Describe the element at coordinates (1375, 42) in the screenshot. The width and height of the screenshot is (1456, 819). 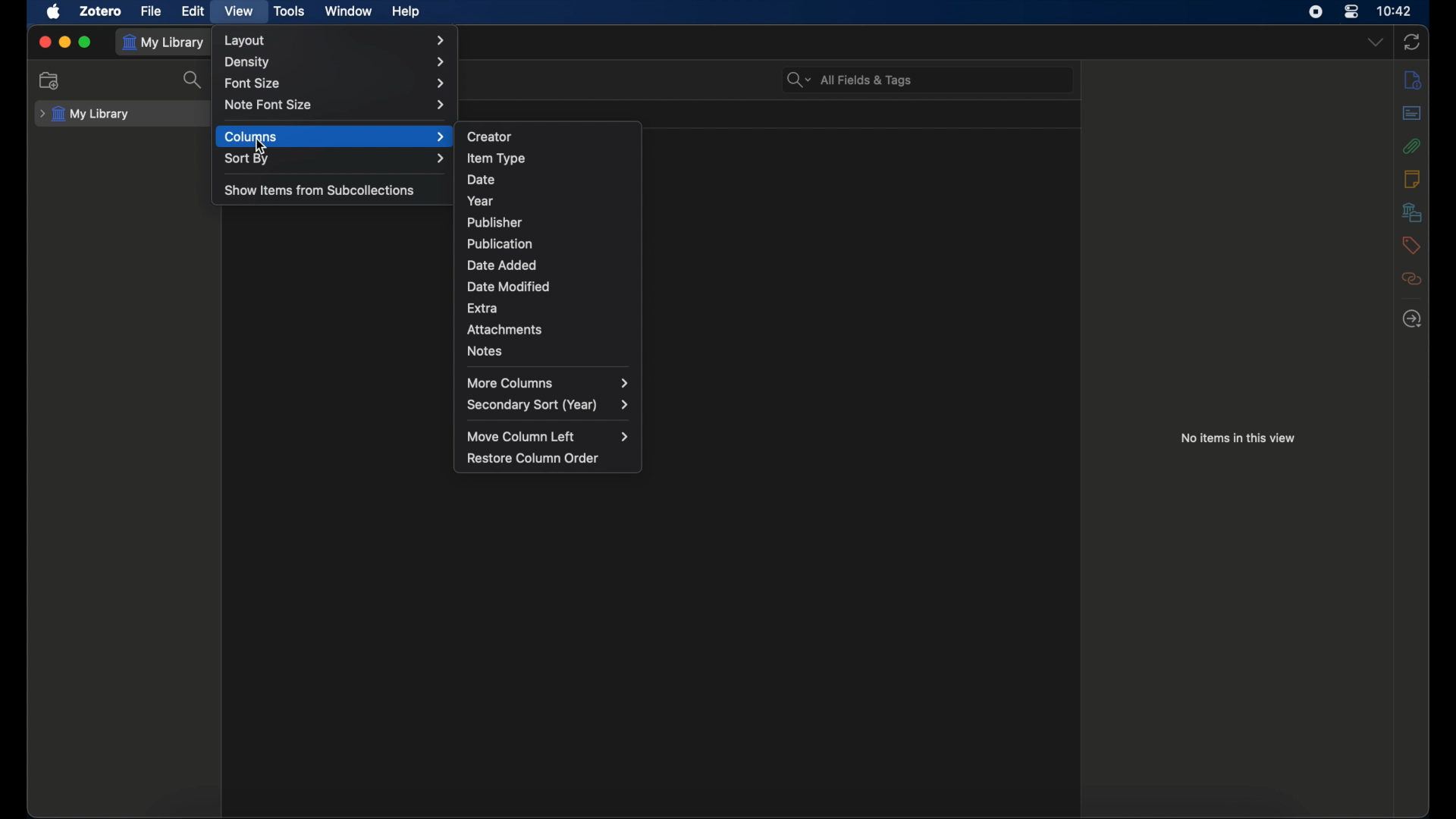
I see `dropdown` at that location.